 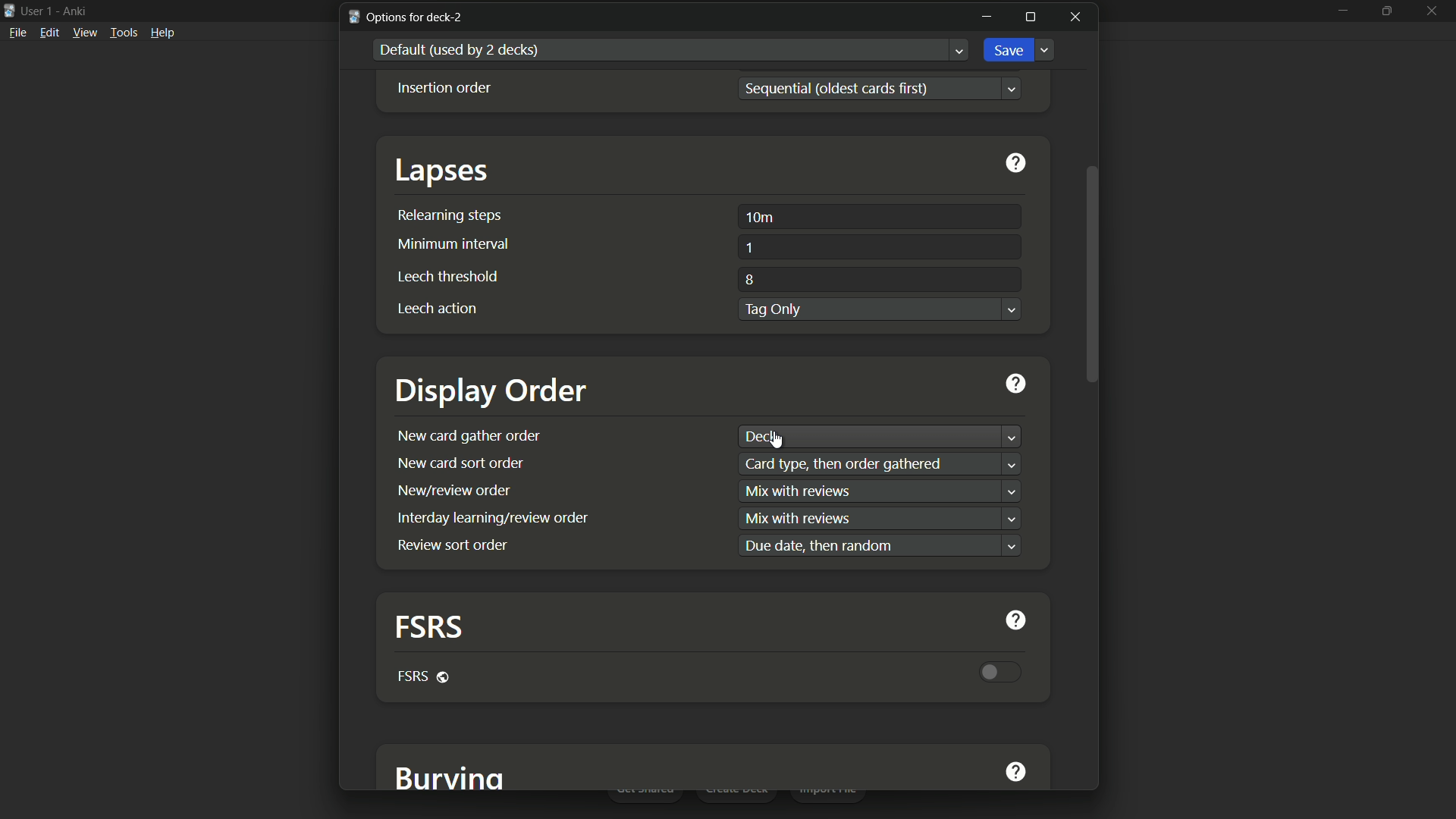 I want to click on tools menu, so click(x=124, y=33).